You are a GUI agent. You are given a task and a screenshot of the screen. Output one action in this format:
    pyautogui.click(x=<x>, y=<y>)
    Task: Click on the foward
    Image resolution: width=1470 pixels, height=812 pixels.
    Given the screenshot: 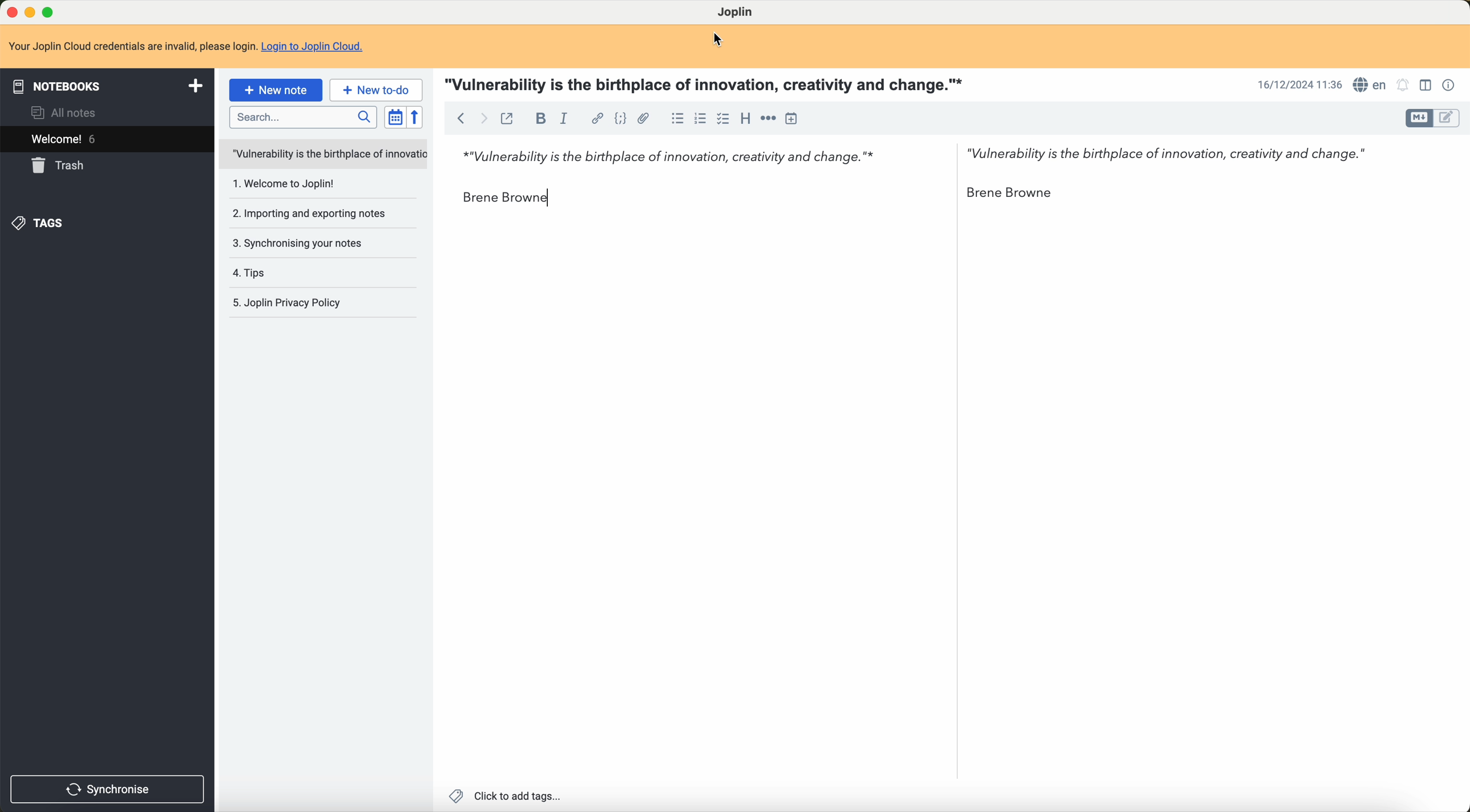 What is the action you would take?
    pyautogui.click(x=486, y=119)
    